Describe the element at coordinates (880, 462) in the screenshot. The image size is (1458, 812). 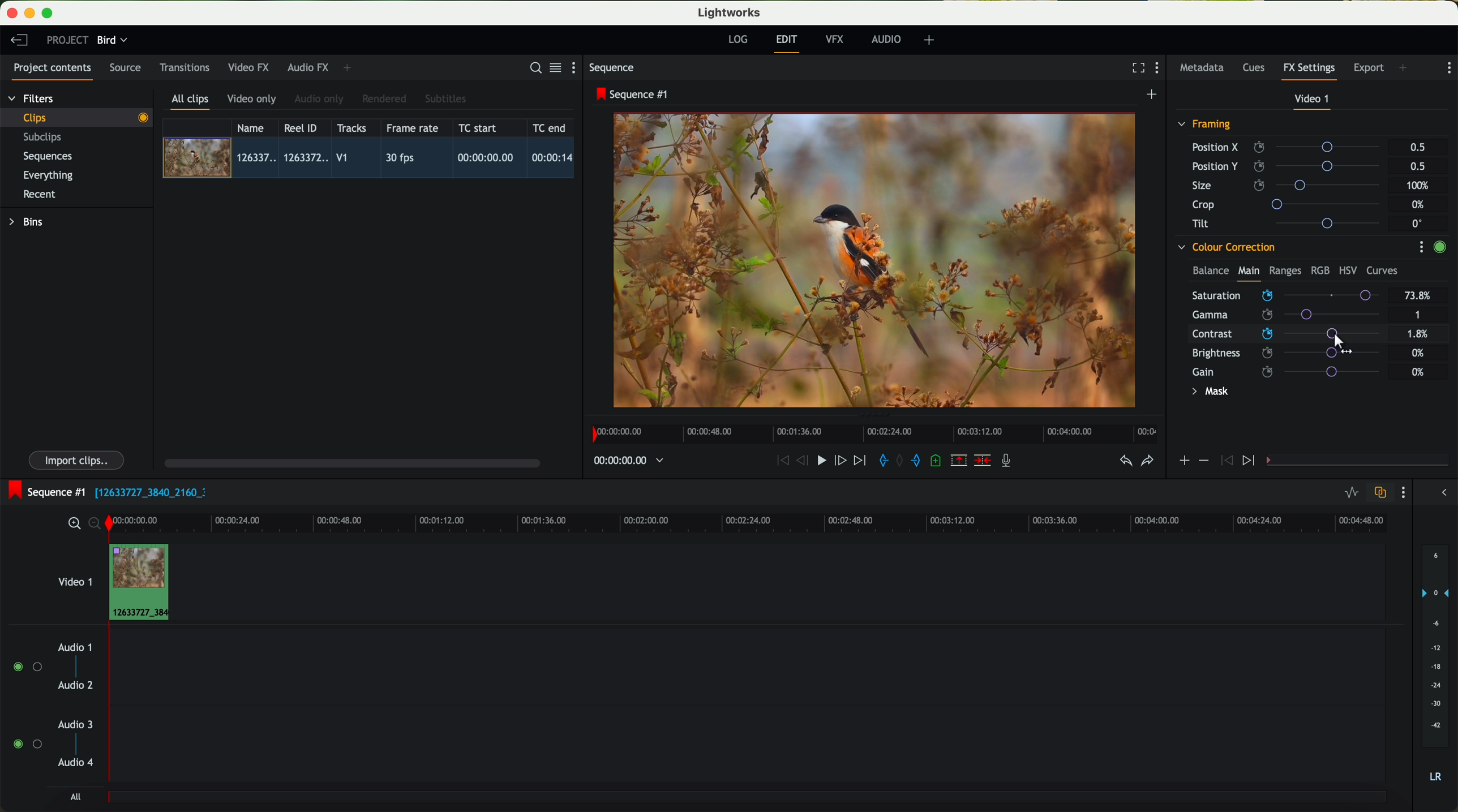
I see `add 'in' mark` at that location.